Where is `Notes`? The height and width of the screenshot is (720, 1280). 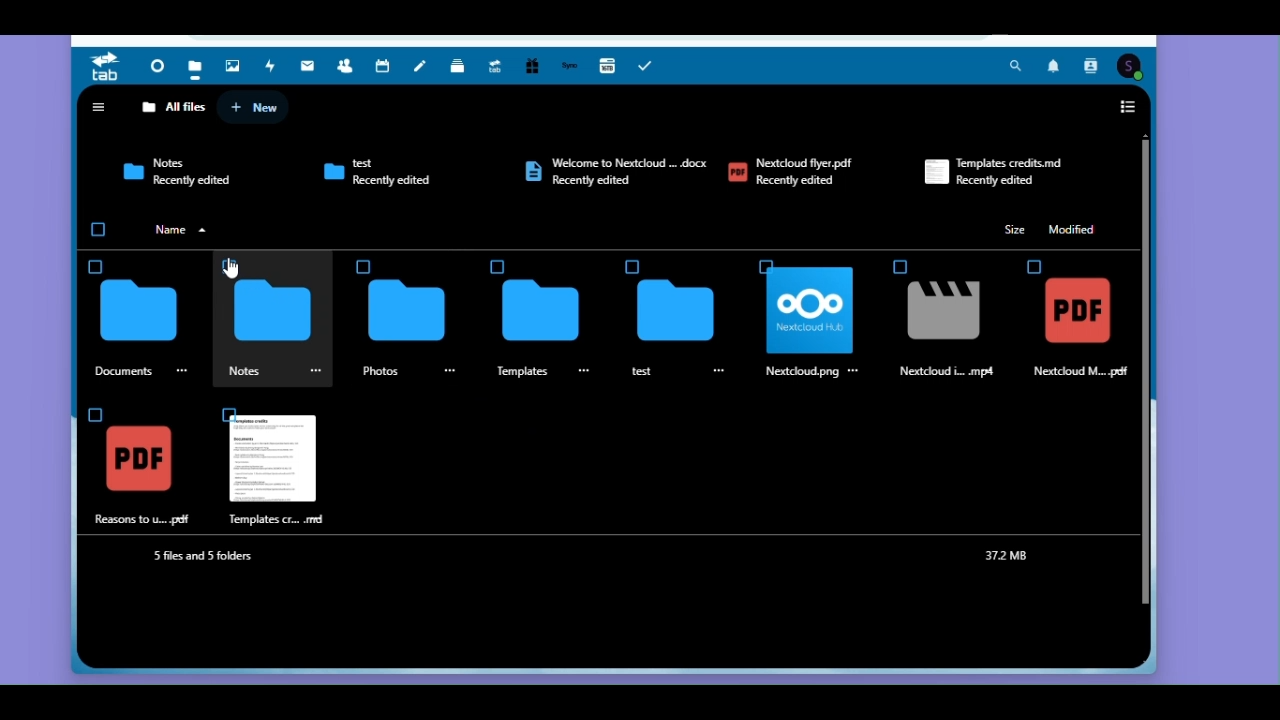
Notes is located at coordinates (168, 161).